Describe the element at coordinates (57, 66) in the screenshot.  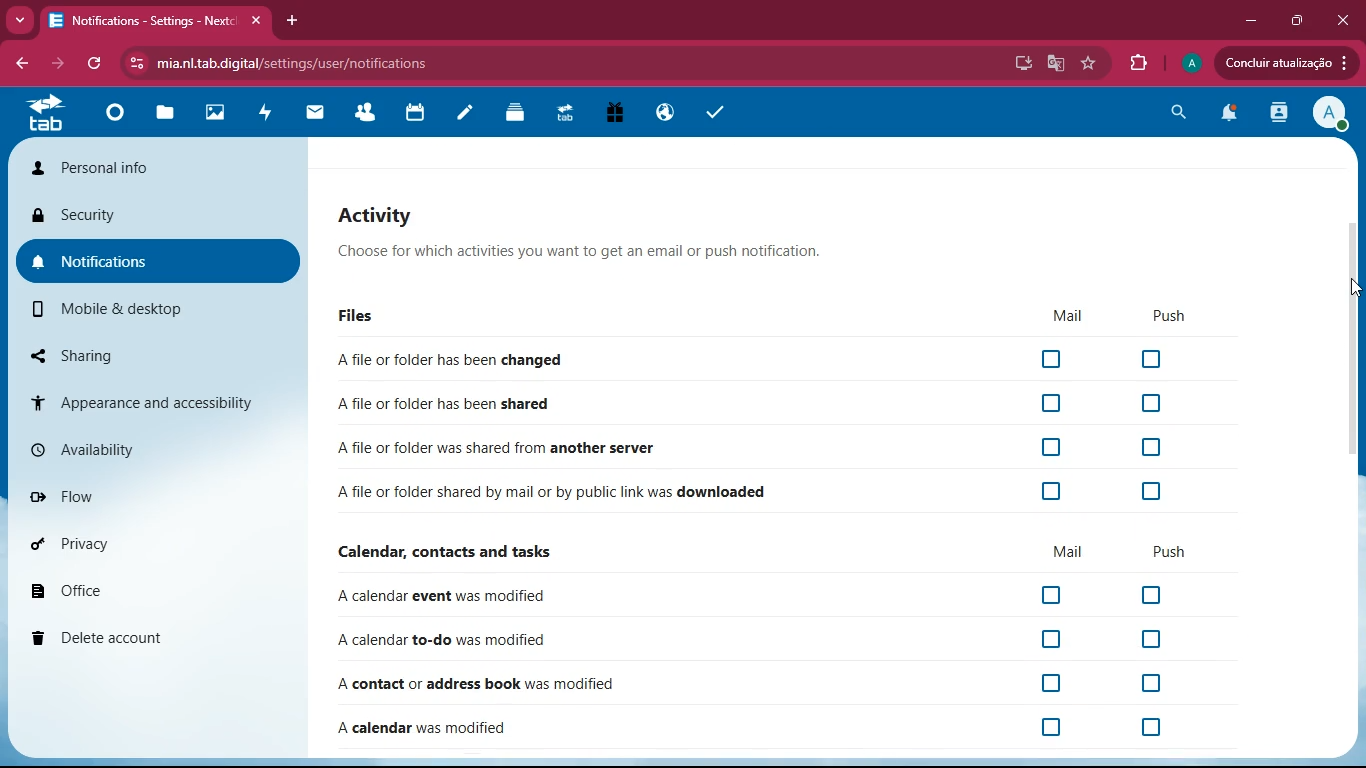
I see `back` at that location.